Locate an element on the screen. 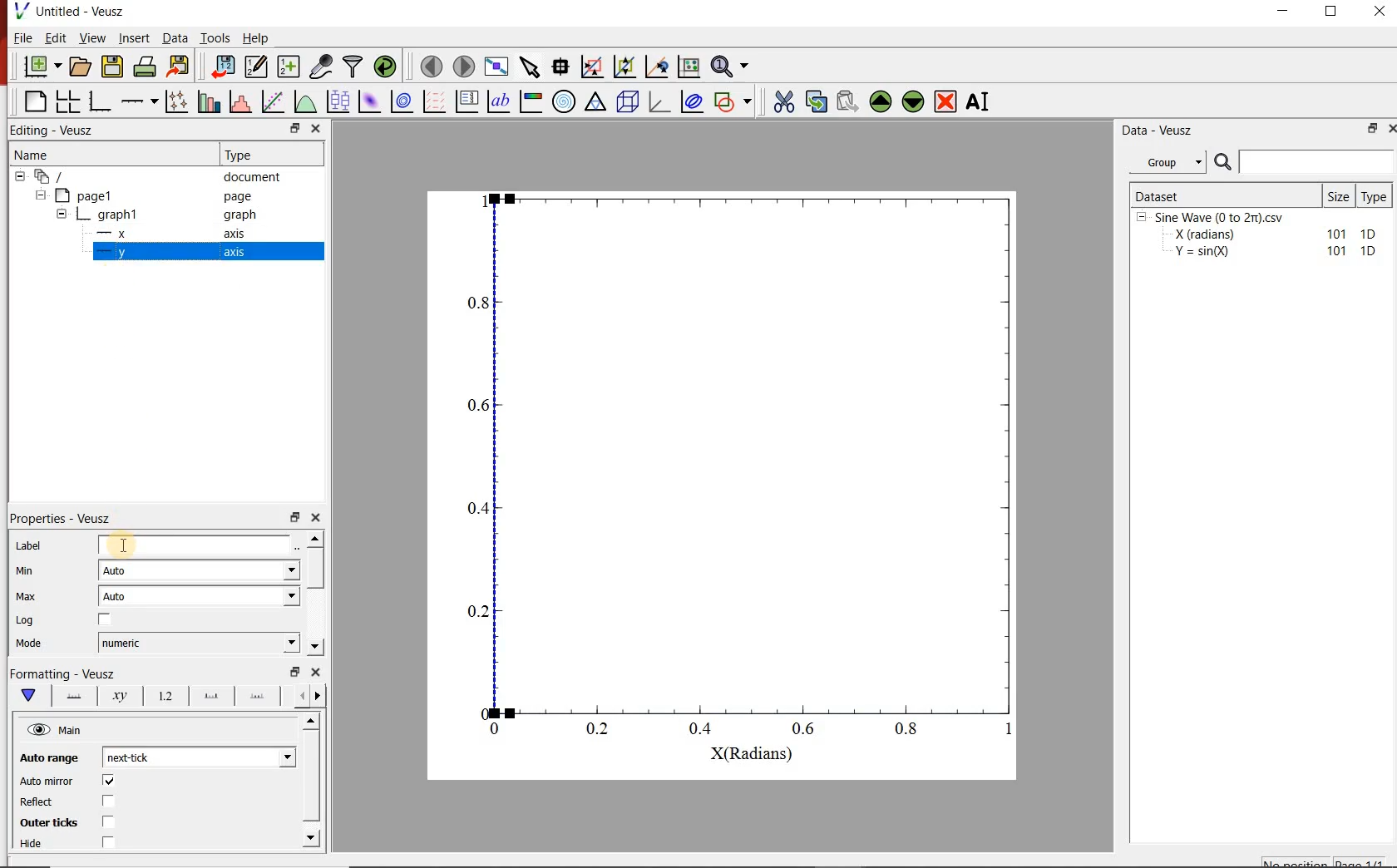 This screenshot has width=1397, height=868. Cursor is located at coordinates (126, 544).